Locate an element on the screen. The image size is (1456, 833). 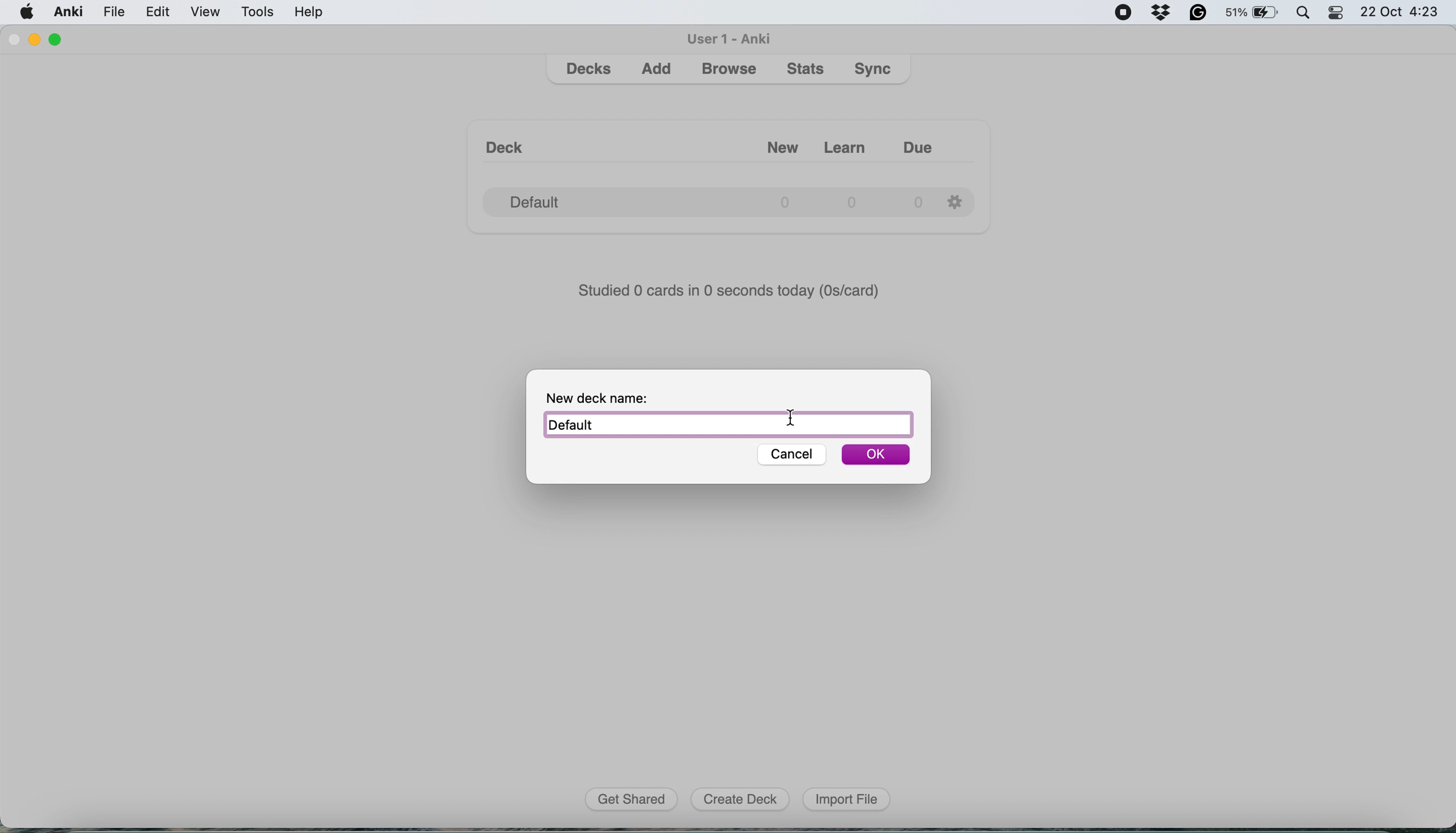
view is located at coordinates (209, 13).